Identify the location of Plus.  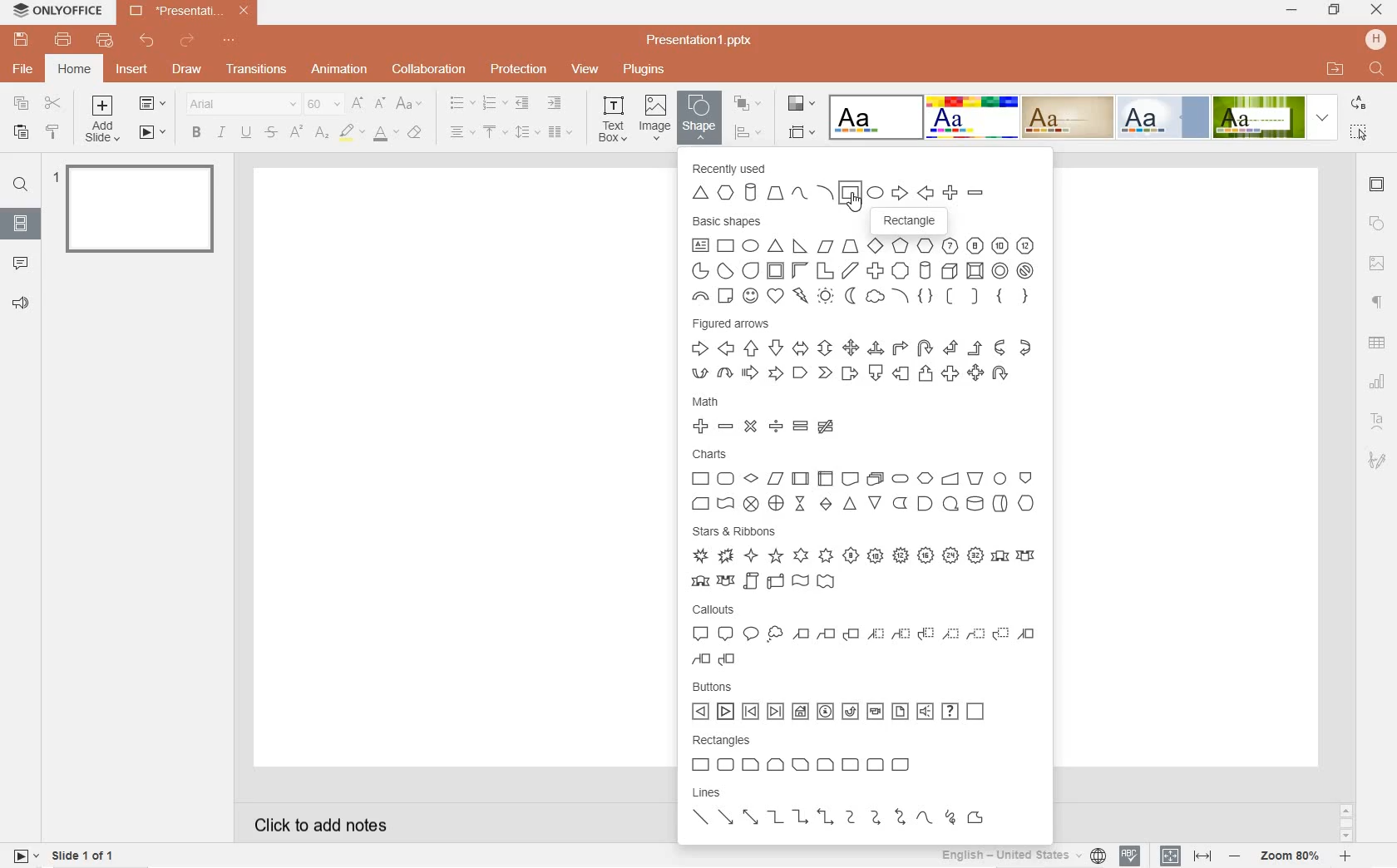
(875, 272).